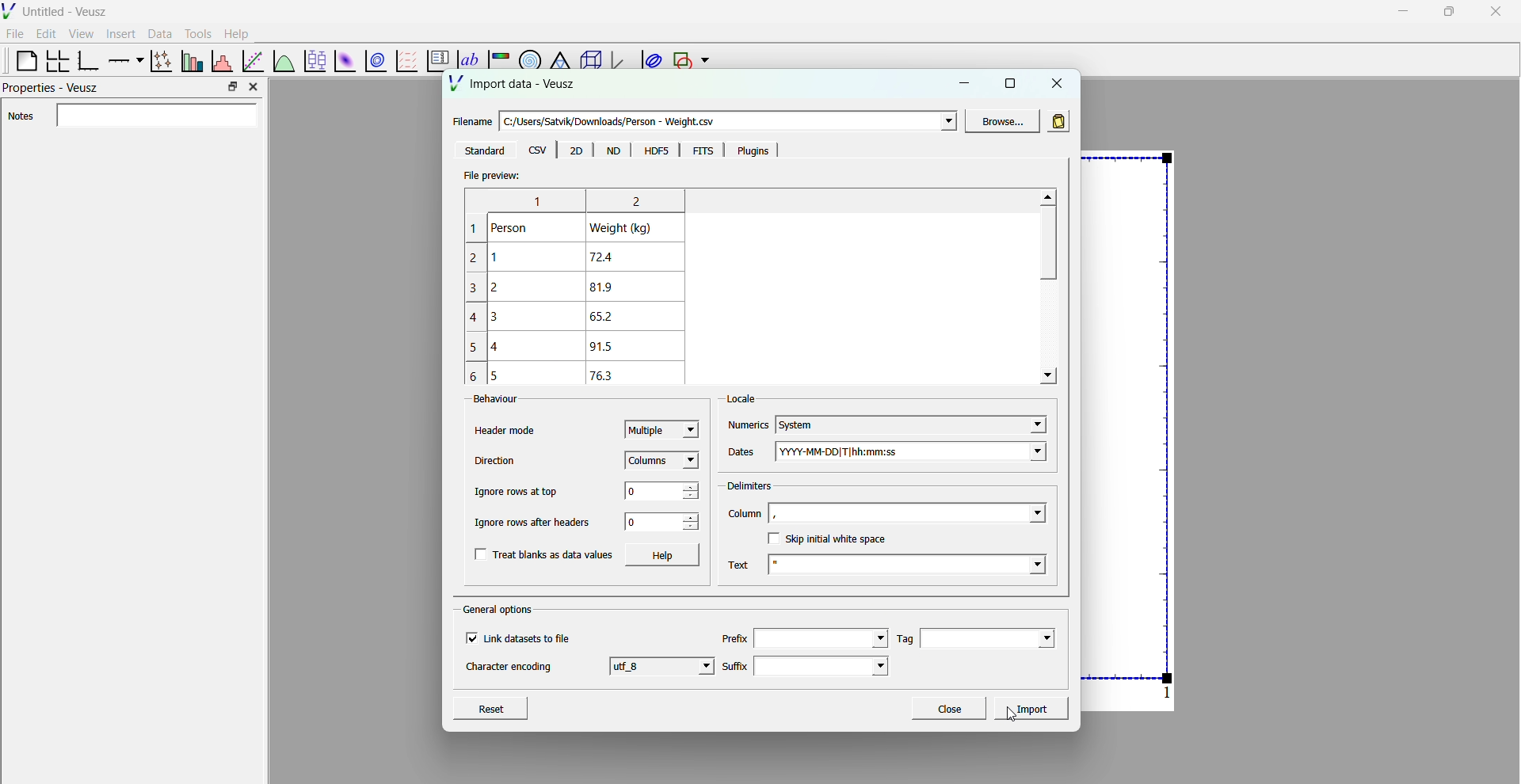 This screenshot has height=784, width=1521. Describe the element at coordinates (56, 62) in the screenshot. I see `Arrange a graph in a grid` at that location.